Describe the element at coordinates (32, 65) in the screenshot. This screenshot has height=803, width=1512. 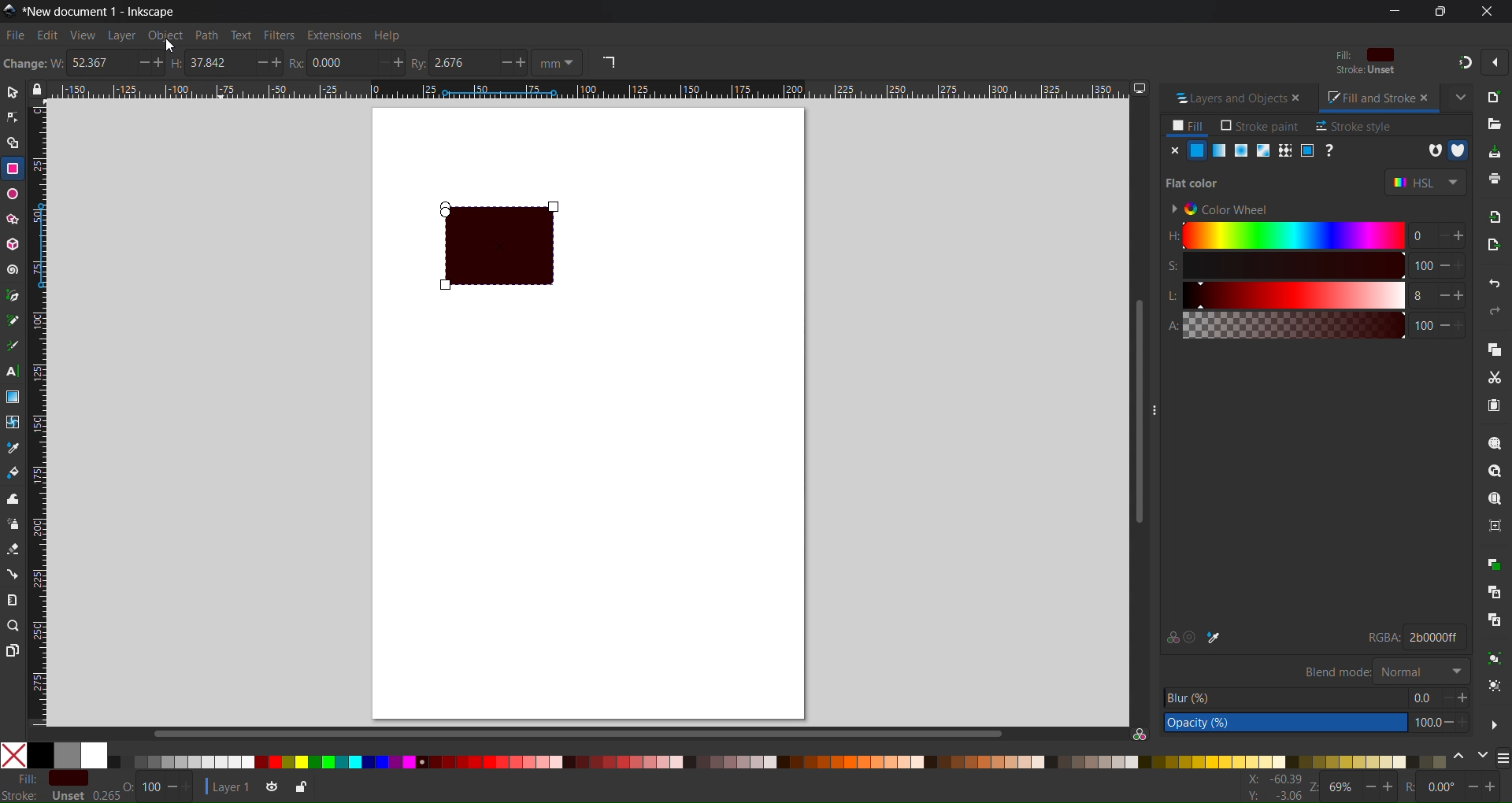
I see `change W:` at that location.